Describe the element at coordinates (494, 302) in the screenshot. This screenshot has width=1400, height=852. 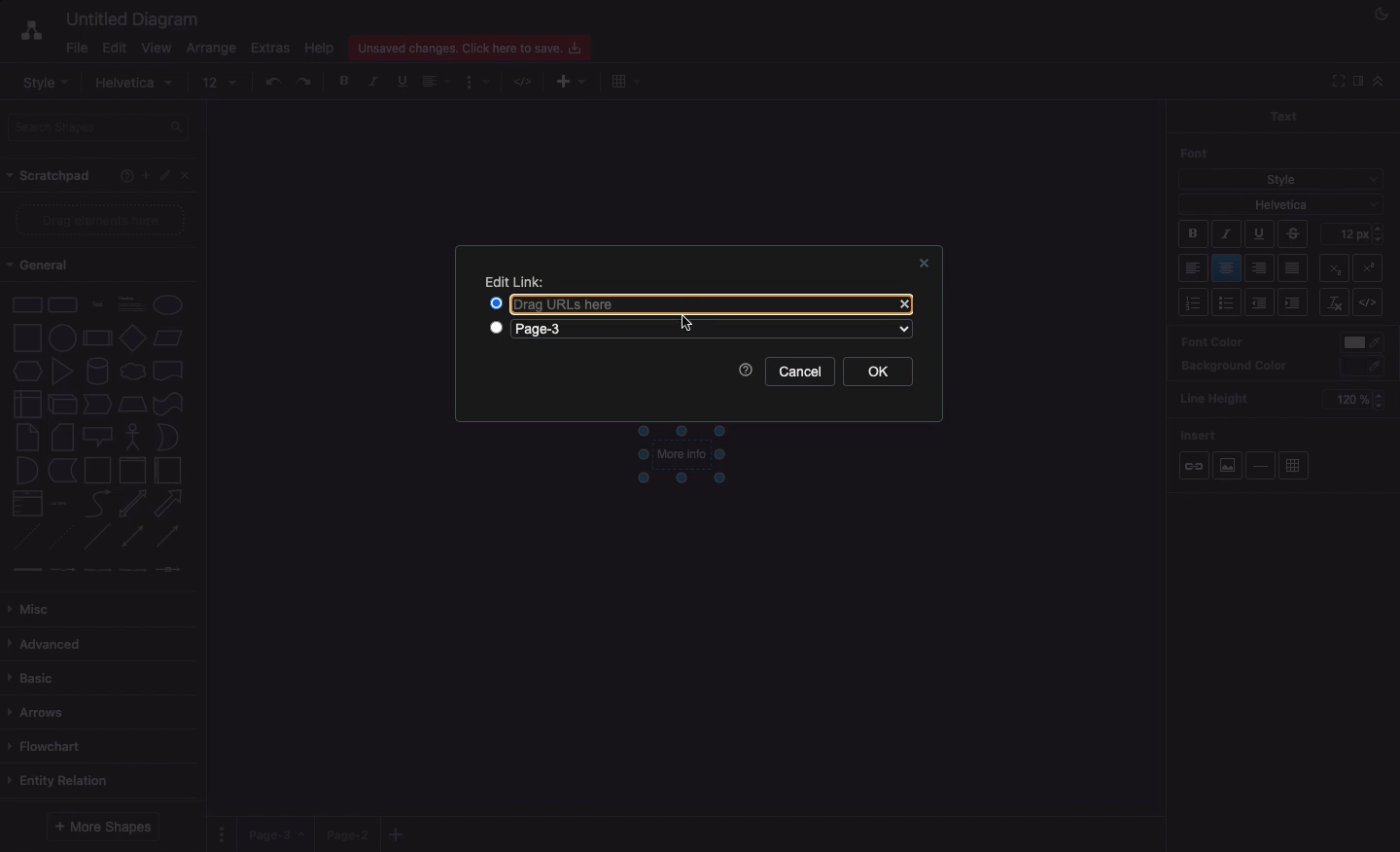
I see `checkbox` at that location.